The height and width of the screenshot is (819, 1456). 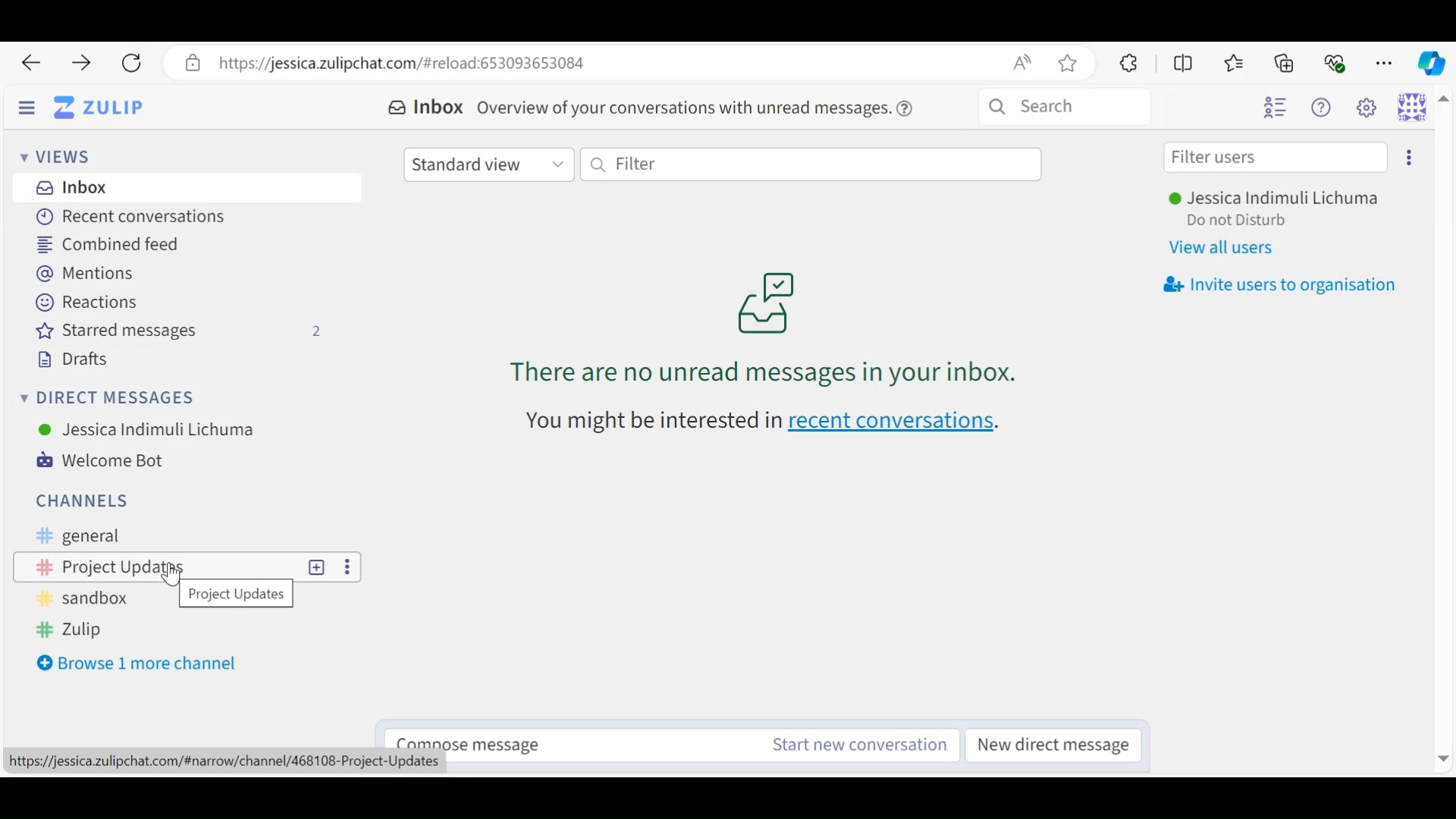 What do you see at coordinates (629, 63) in the screenshot?
I see `Address bar` at bounding box center [629, 63].